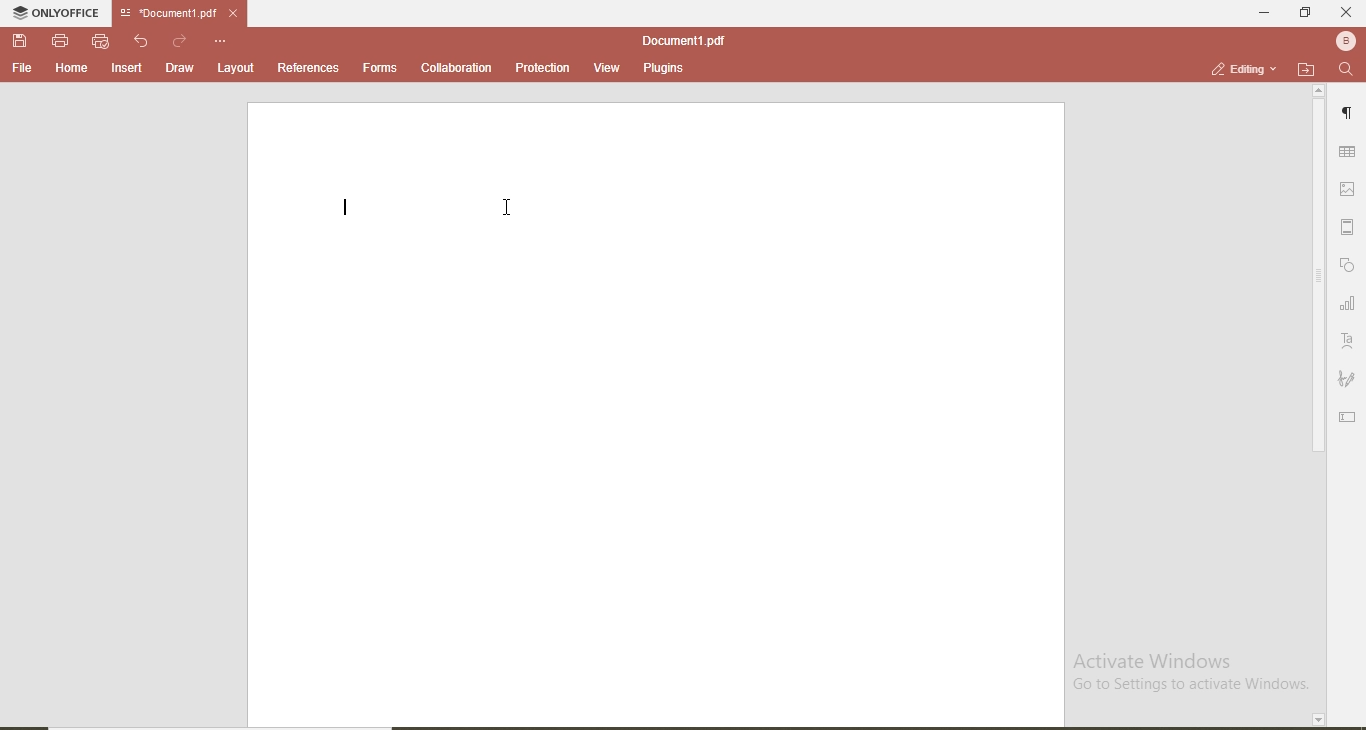 The width and height of the screenshot is (1366, 730). Describe the element at coordinates (1343, 70) in the screenshot. I see `search` at that location.